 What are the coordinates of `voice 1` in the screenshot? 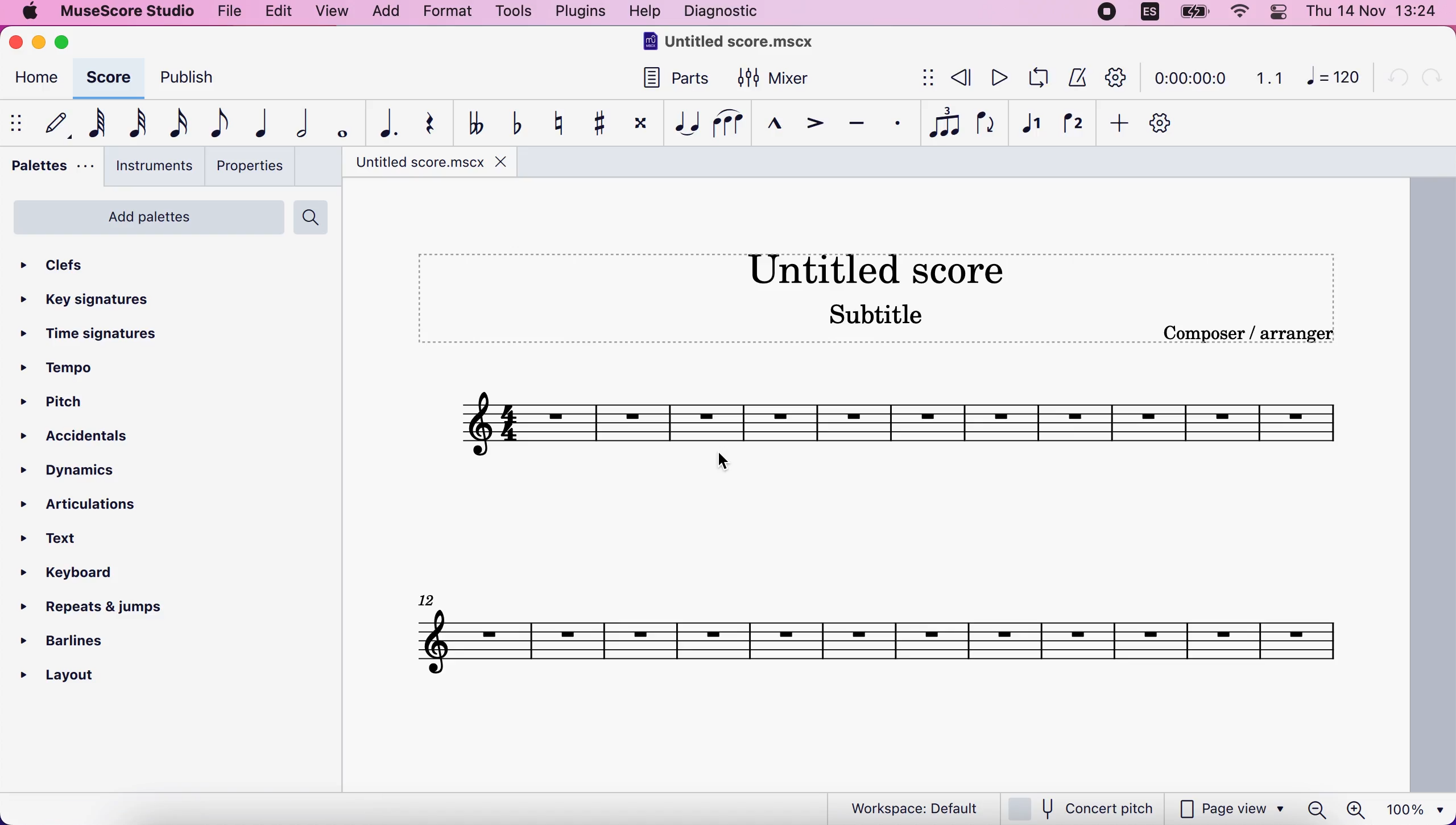 It's located at (1031, 126).